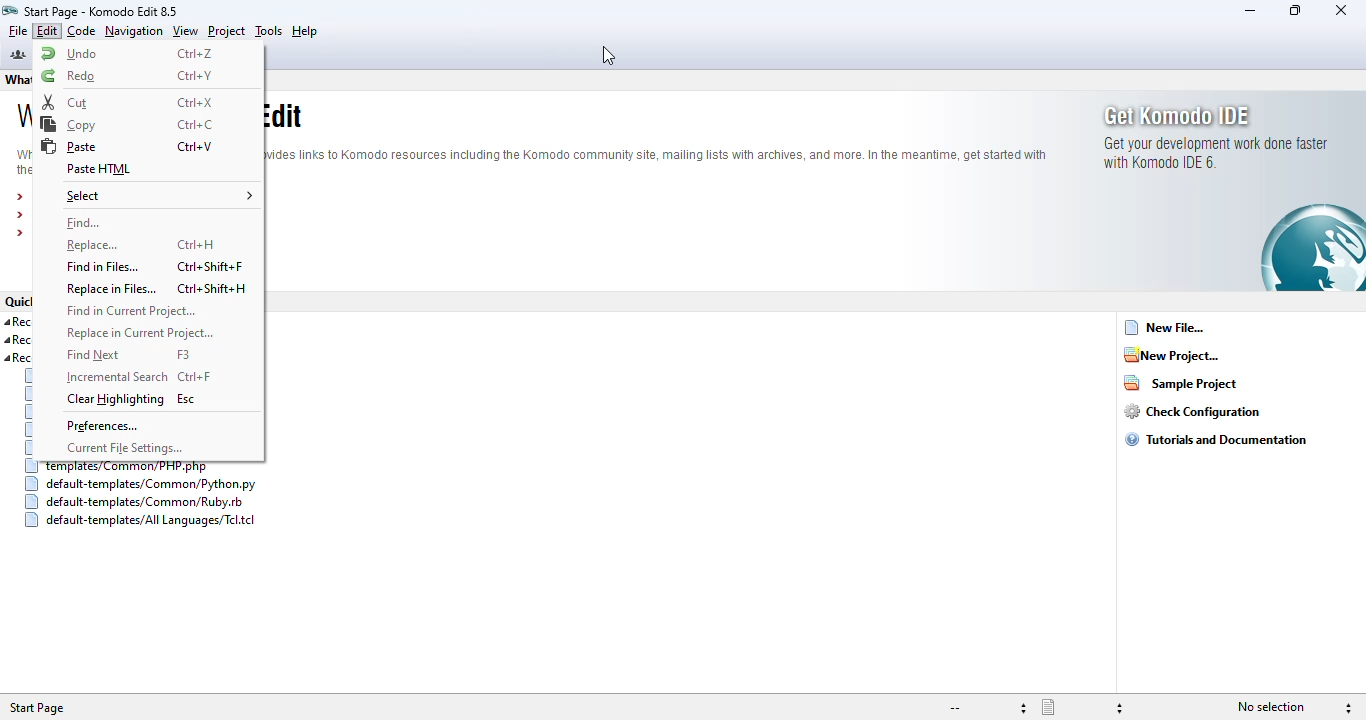  Describe the element at coordinates (112, 288) in the screenshot. I see `replace in files` at that location.